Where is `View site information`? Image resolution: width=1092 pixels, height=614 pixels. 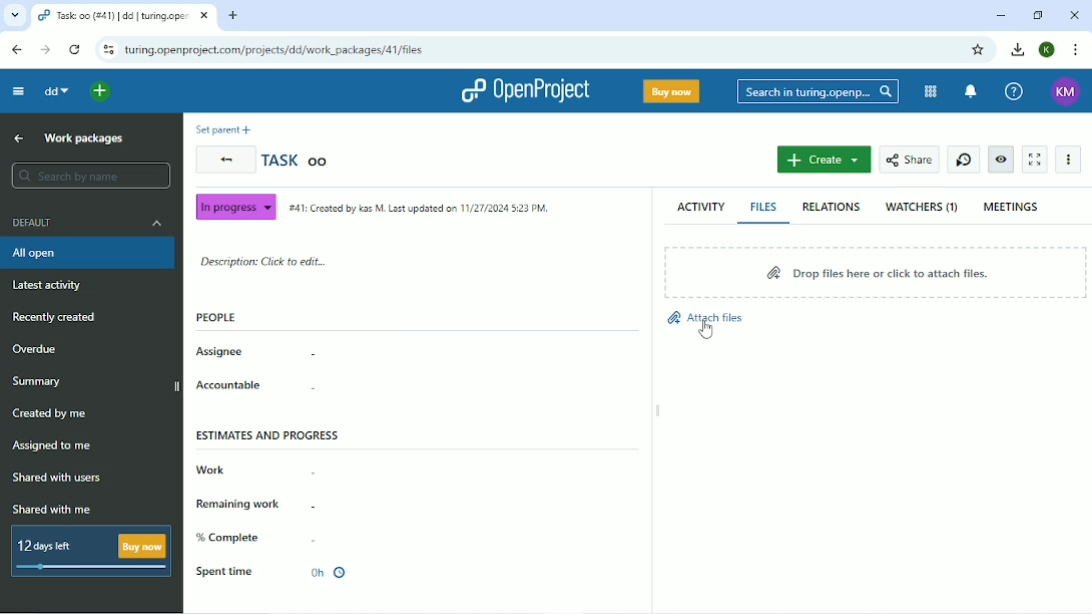
View site information is located at coordinates (109, 50).